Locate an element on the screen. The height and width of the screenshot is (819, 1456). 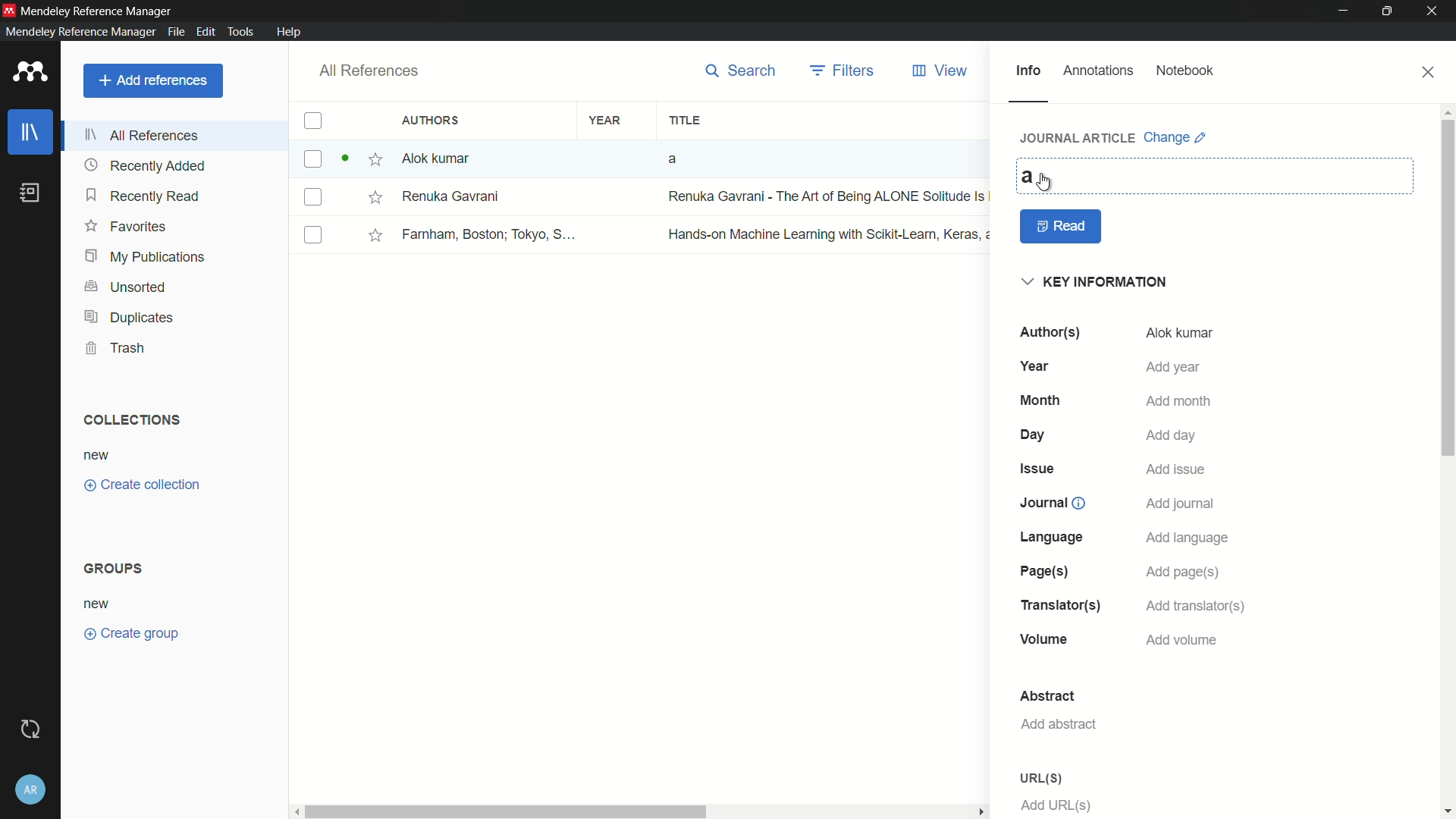
add abstract is located at coordinates (1058, 724).